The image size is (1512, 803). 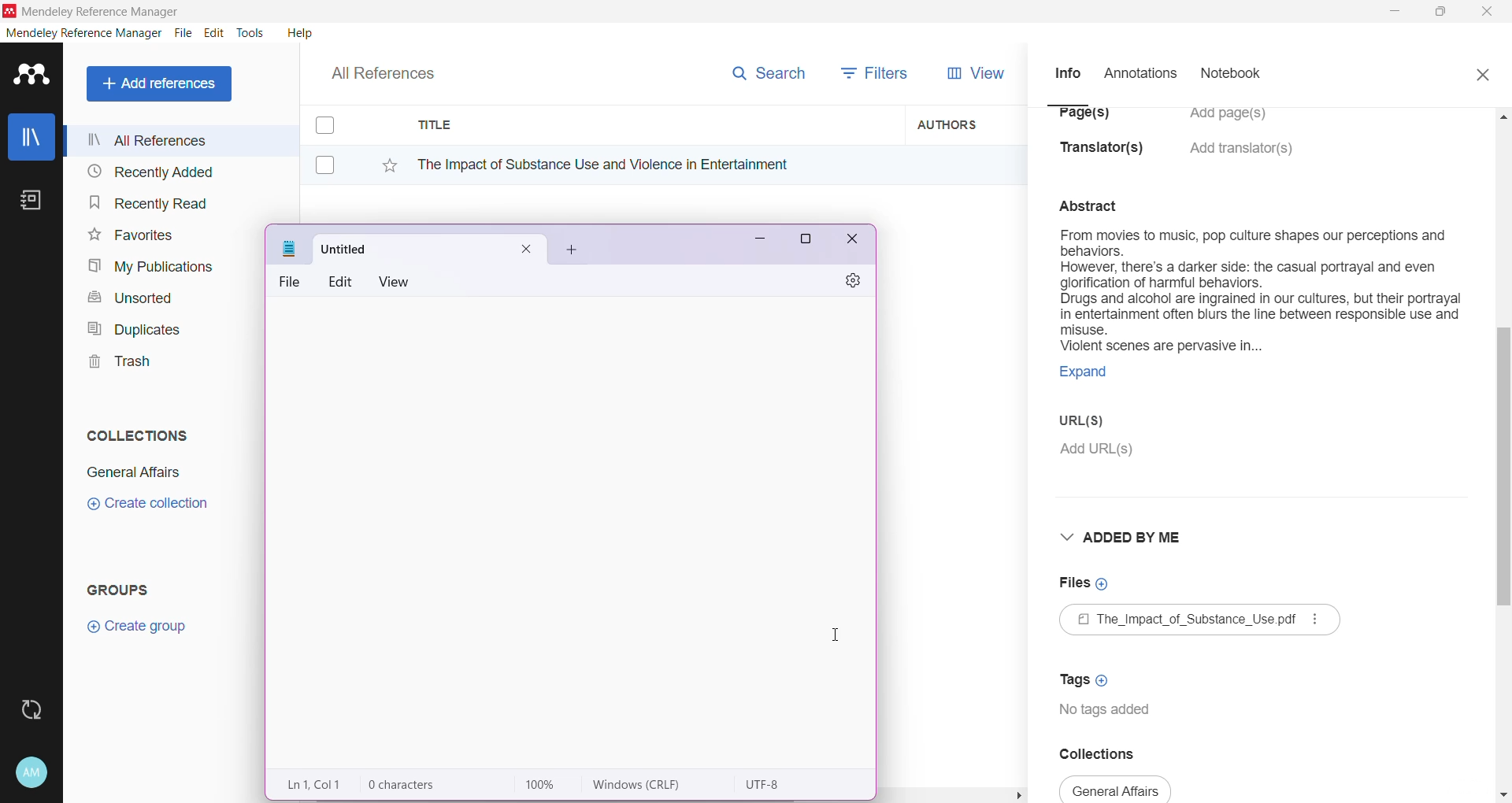 I want to click on Filters, so click(x=879, y=72).